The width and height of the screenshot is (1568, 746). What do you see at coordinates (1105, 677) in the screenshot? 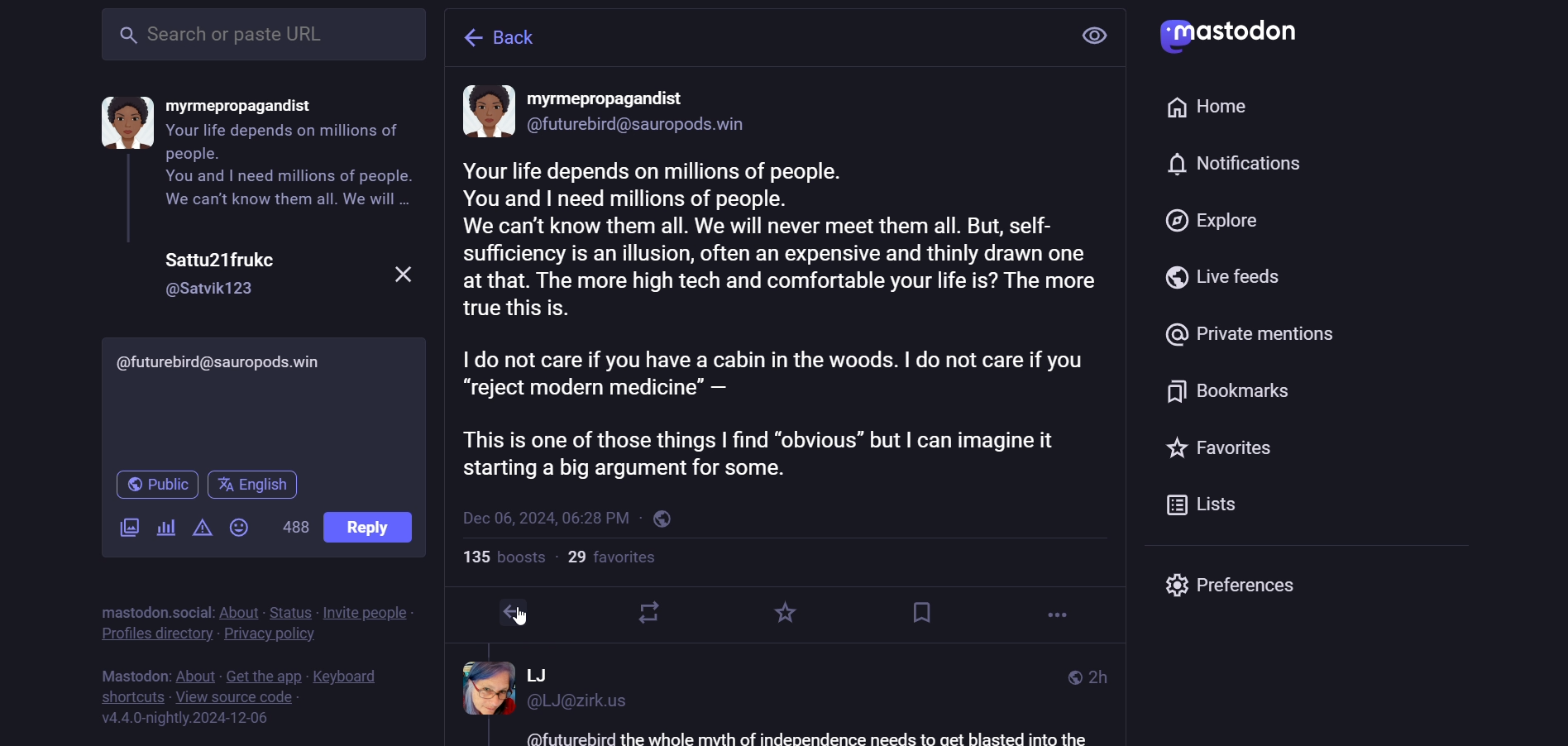
I see `last modifiied` at bounding box center [1105, 677].